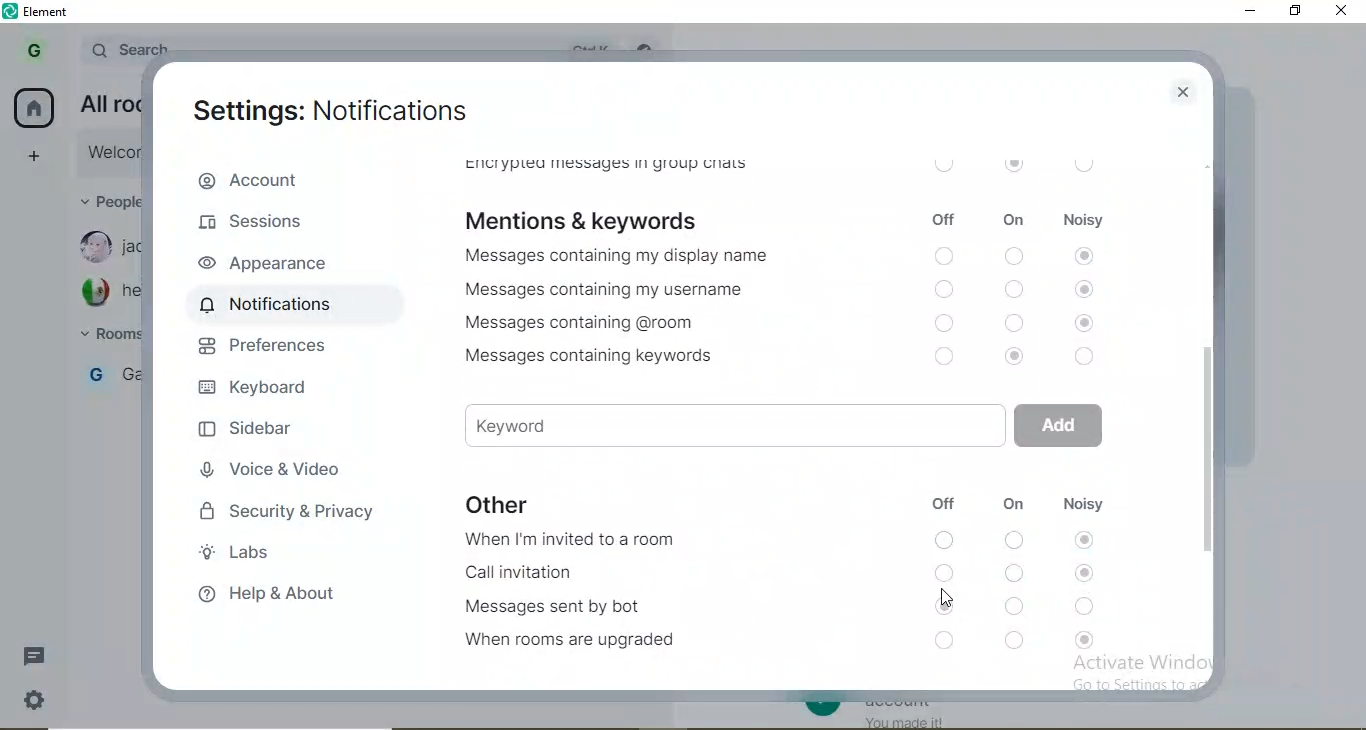 The width and height of the screenshot is (1366, 730). Describe the element at coordinates (946, 166) in the screenshot. I see `off switch` at that location.